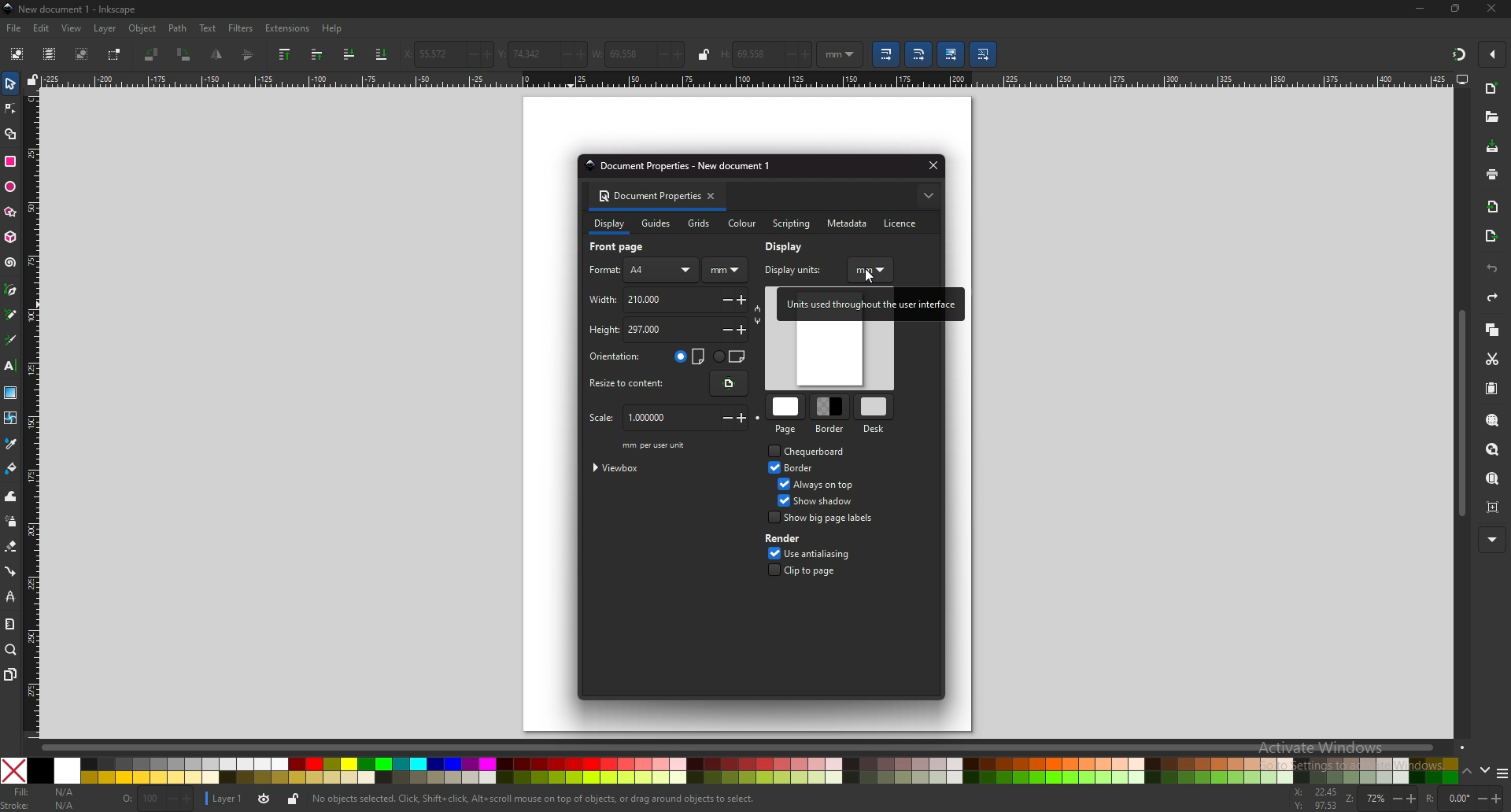 This screenshot has height=812, width=1511. I want to click on border, so click(832, 415).